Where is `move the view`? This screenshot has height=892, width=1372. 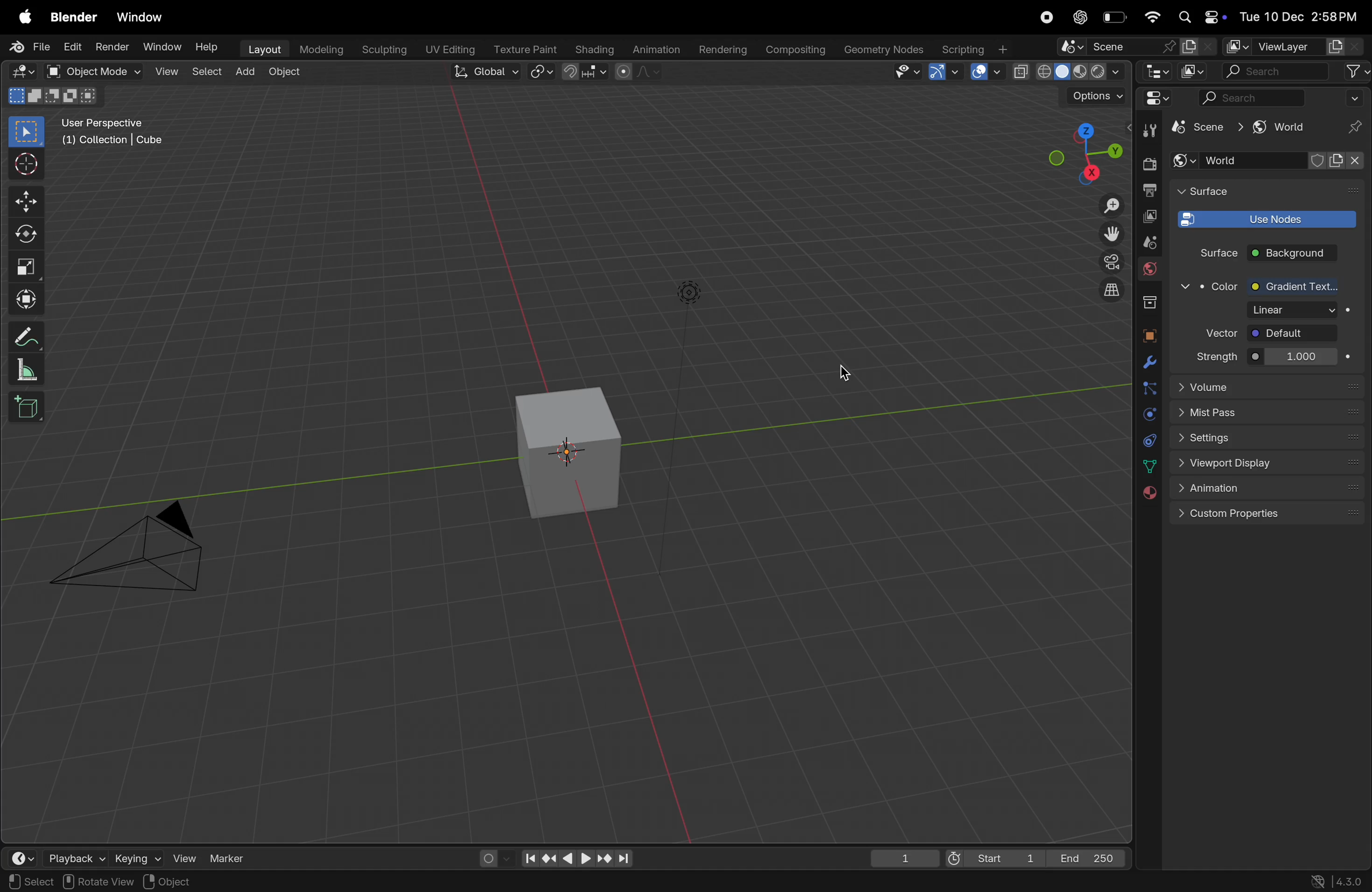
move the view is located at coordinates (1110, 233).